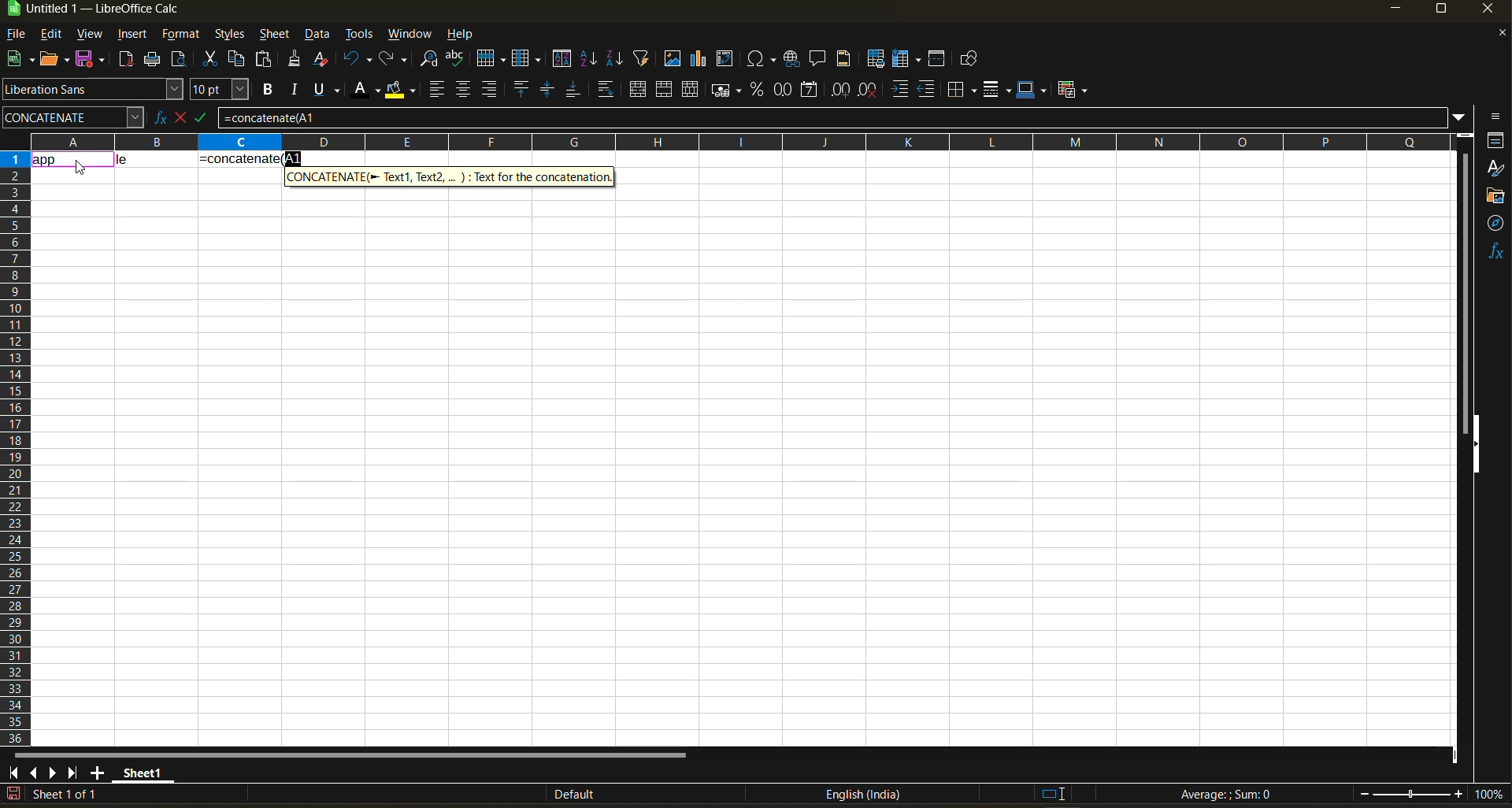 This screenshot has width=1512, height=808. What do you see at coordinates (1496, 37) in the screenshot?
I see `close document` at bounding box center [1496, 37].